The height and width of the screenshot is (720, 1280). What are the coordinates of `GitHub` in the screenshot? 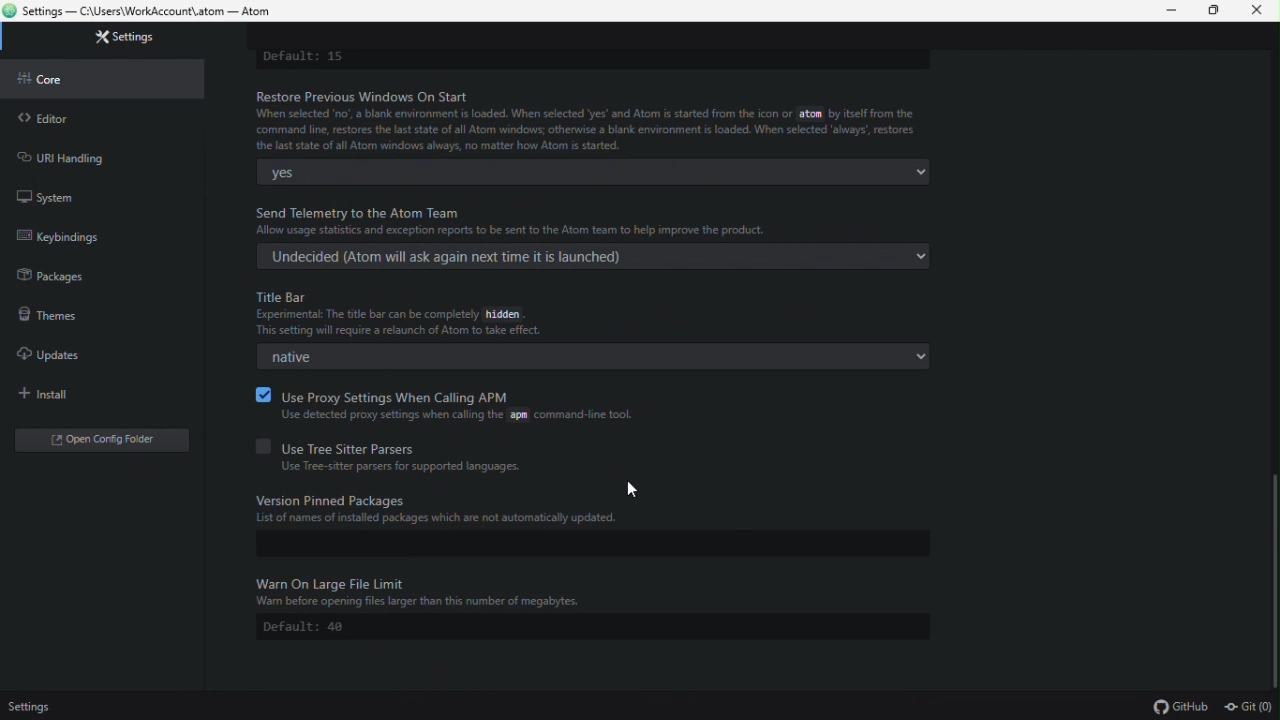 It's located at (1181, 708).